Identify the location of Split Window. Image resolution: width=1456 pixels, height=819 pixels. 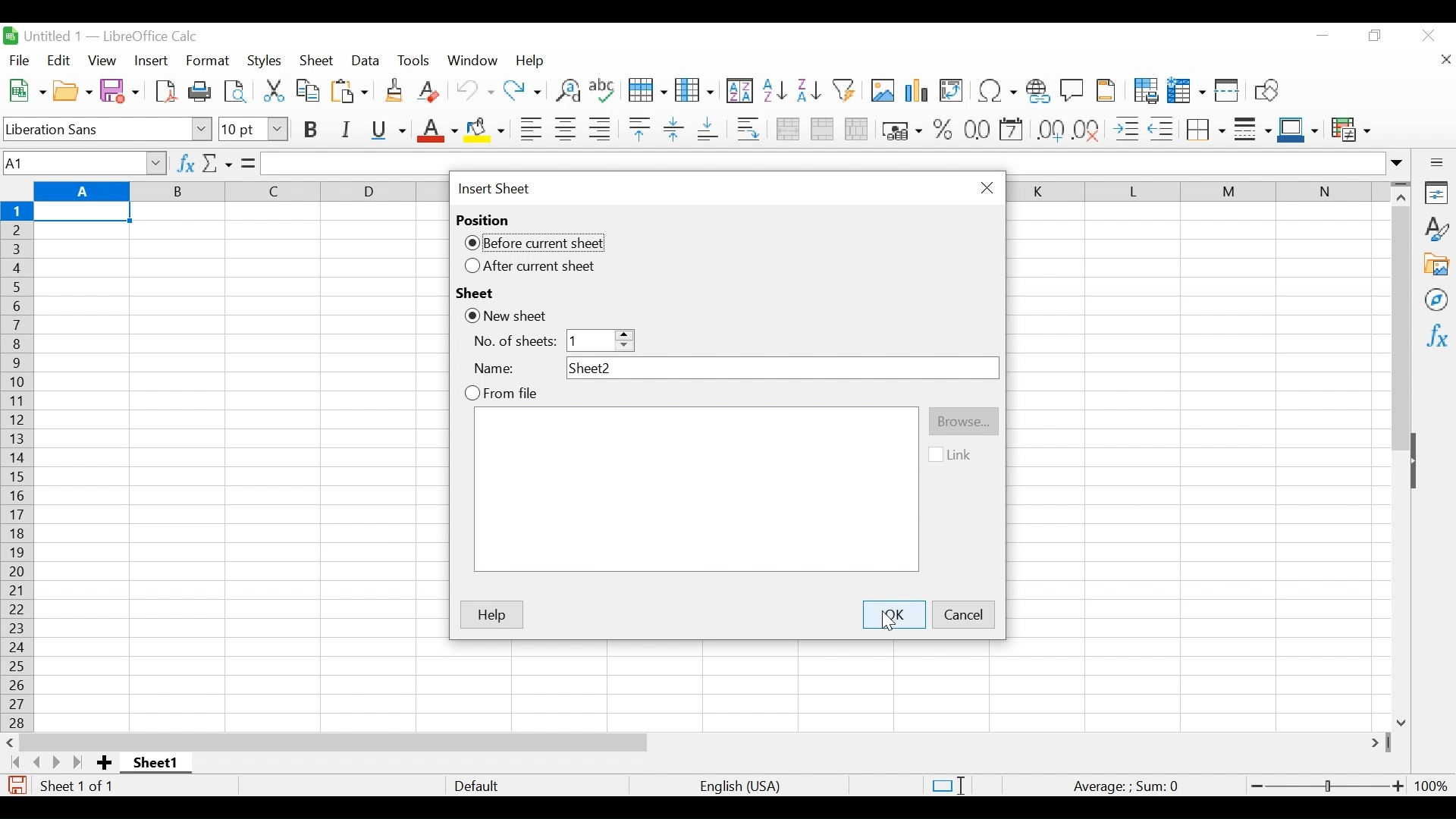
(1227, 91).